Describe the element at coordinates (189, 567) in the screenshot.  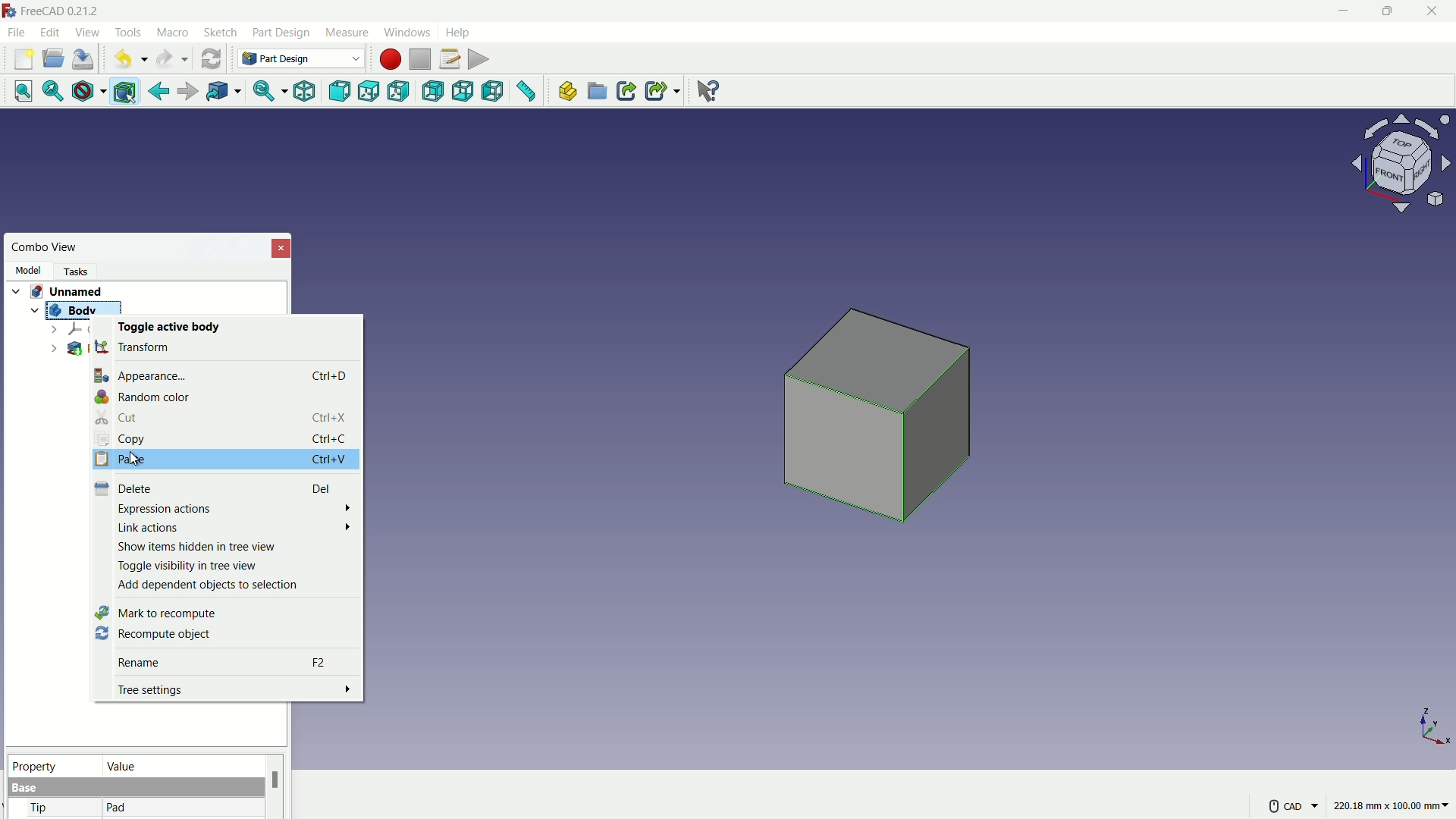
I see `Toggle visibility in tree view` at that location.